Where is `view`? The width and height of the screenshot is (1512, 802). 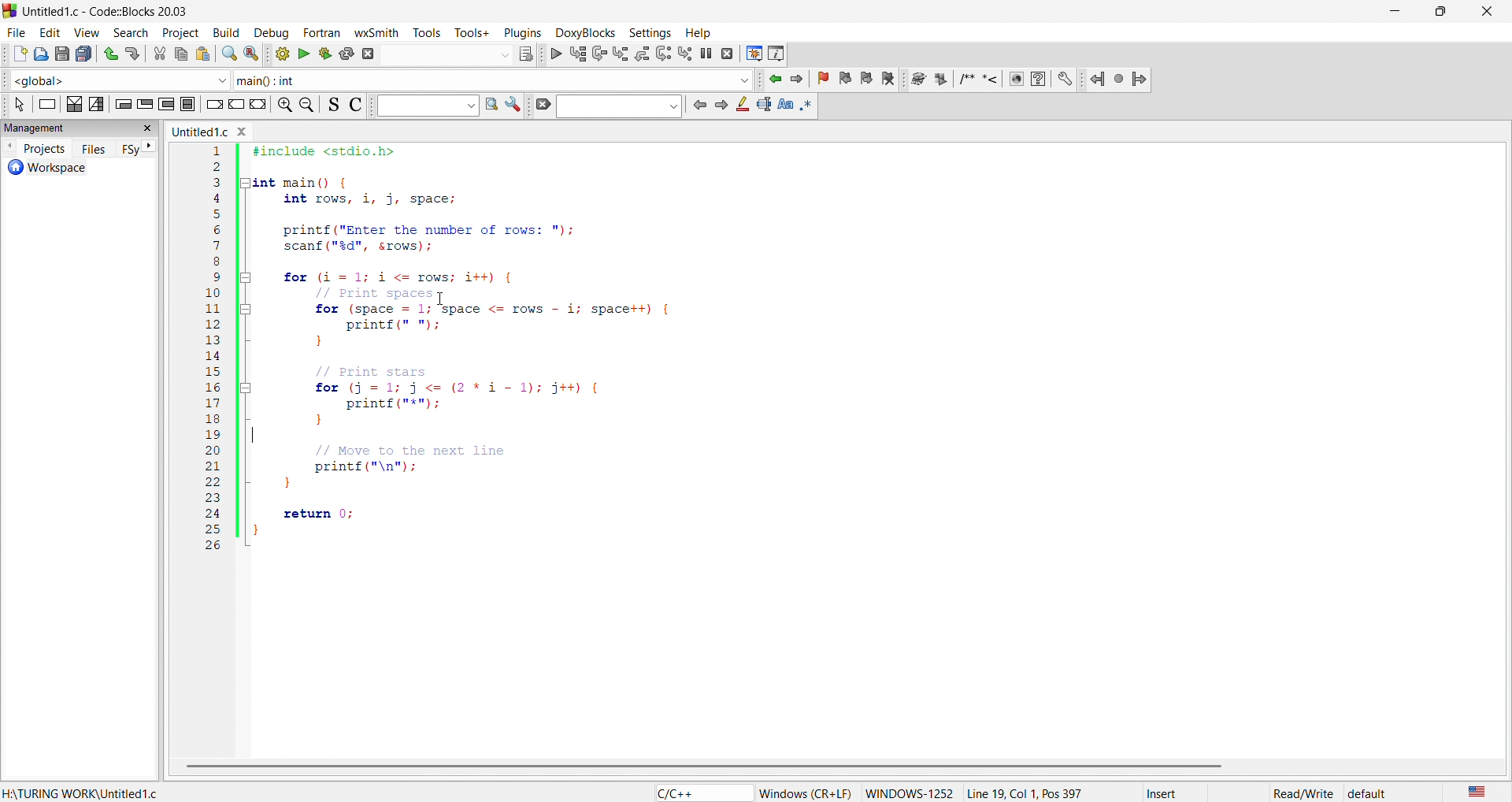
view is located at coordinates (87, 31).